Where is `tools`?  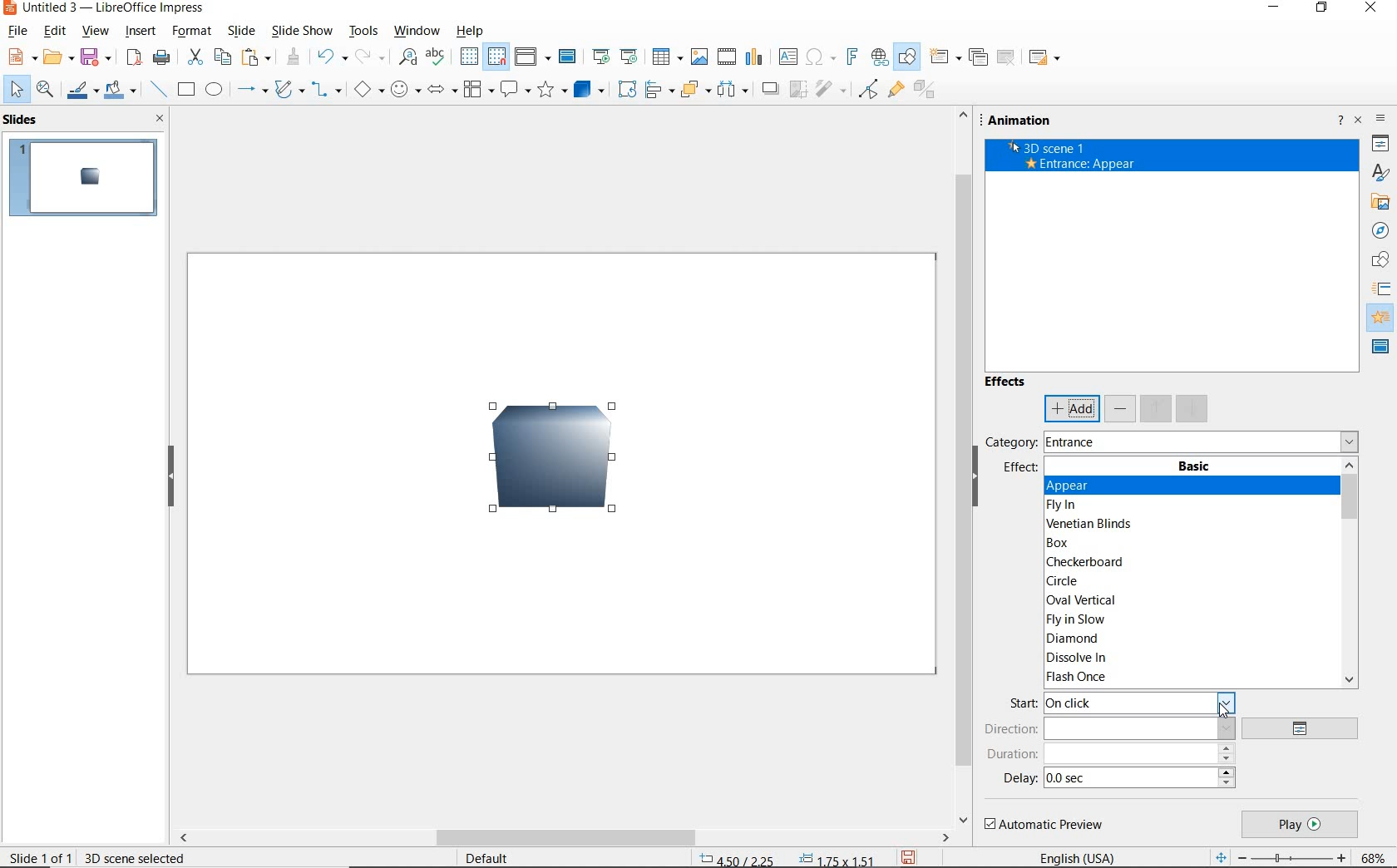 tools is located at coordinates (363, 31).